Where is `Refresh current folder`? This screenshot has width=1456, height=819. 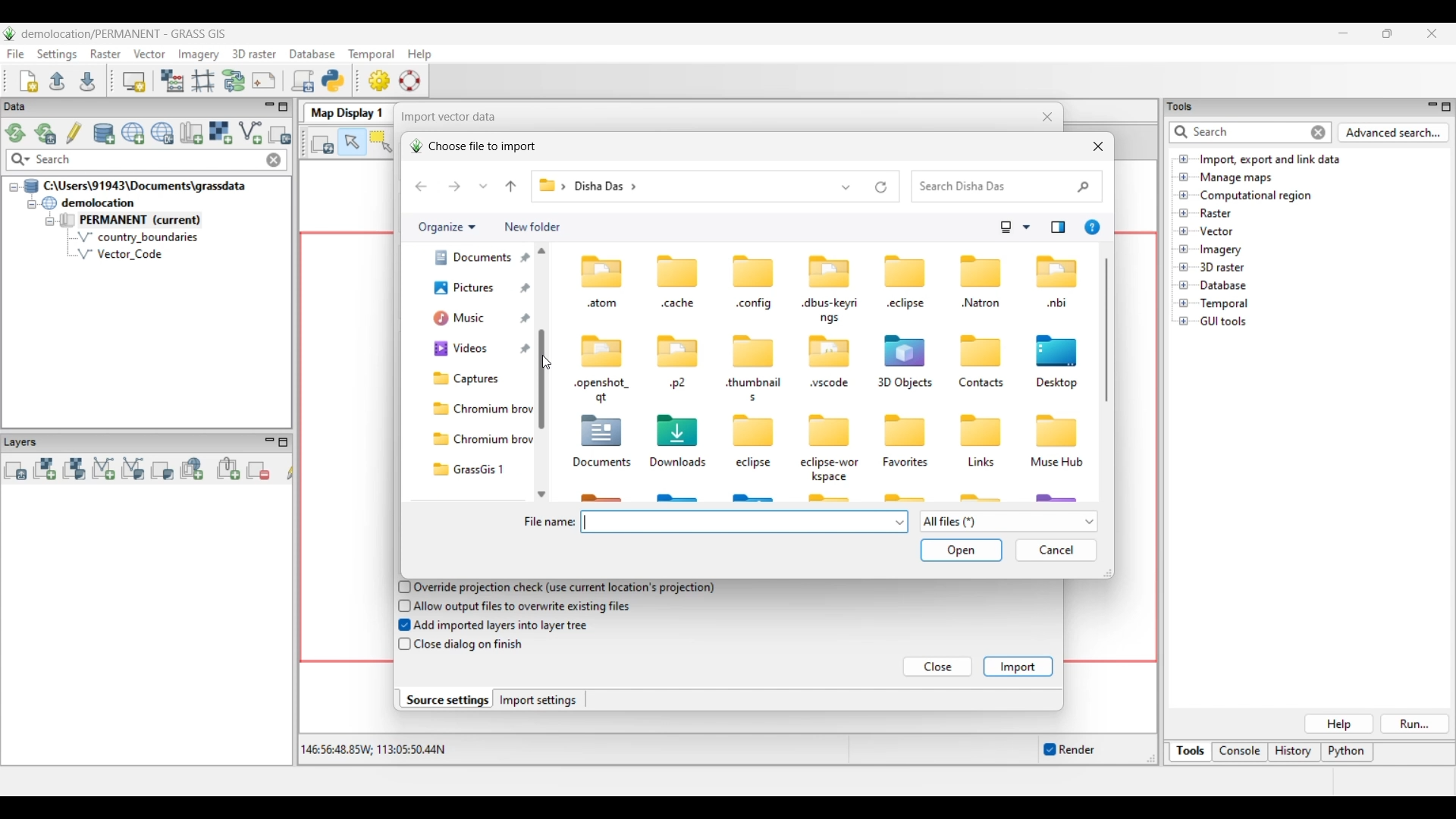 Refresh current folder is located at coordinates (881, 187).